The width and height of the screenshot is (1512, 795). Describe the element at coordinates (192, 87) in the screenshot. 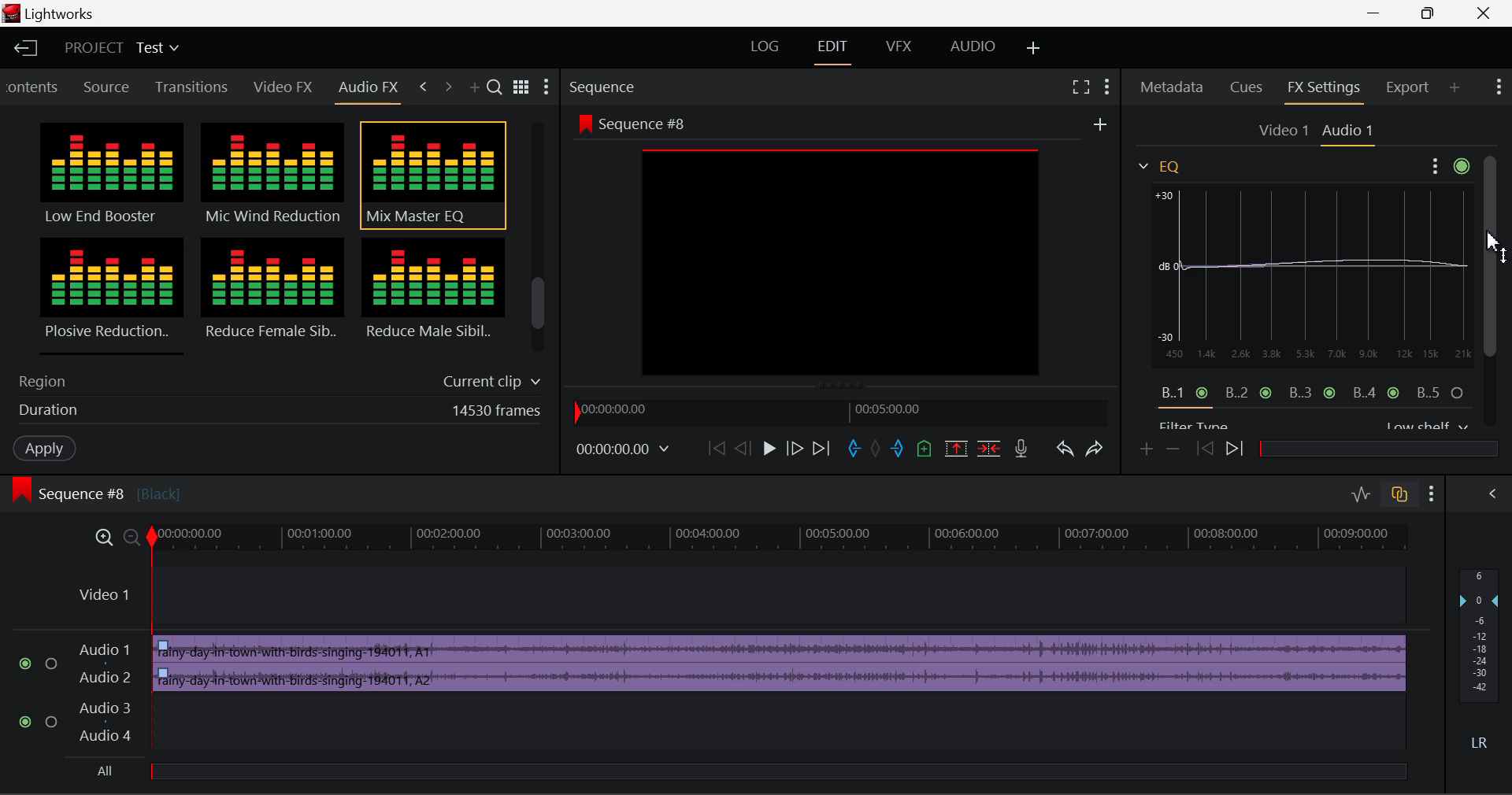

I see `Transitions` at that location.